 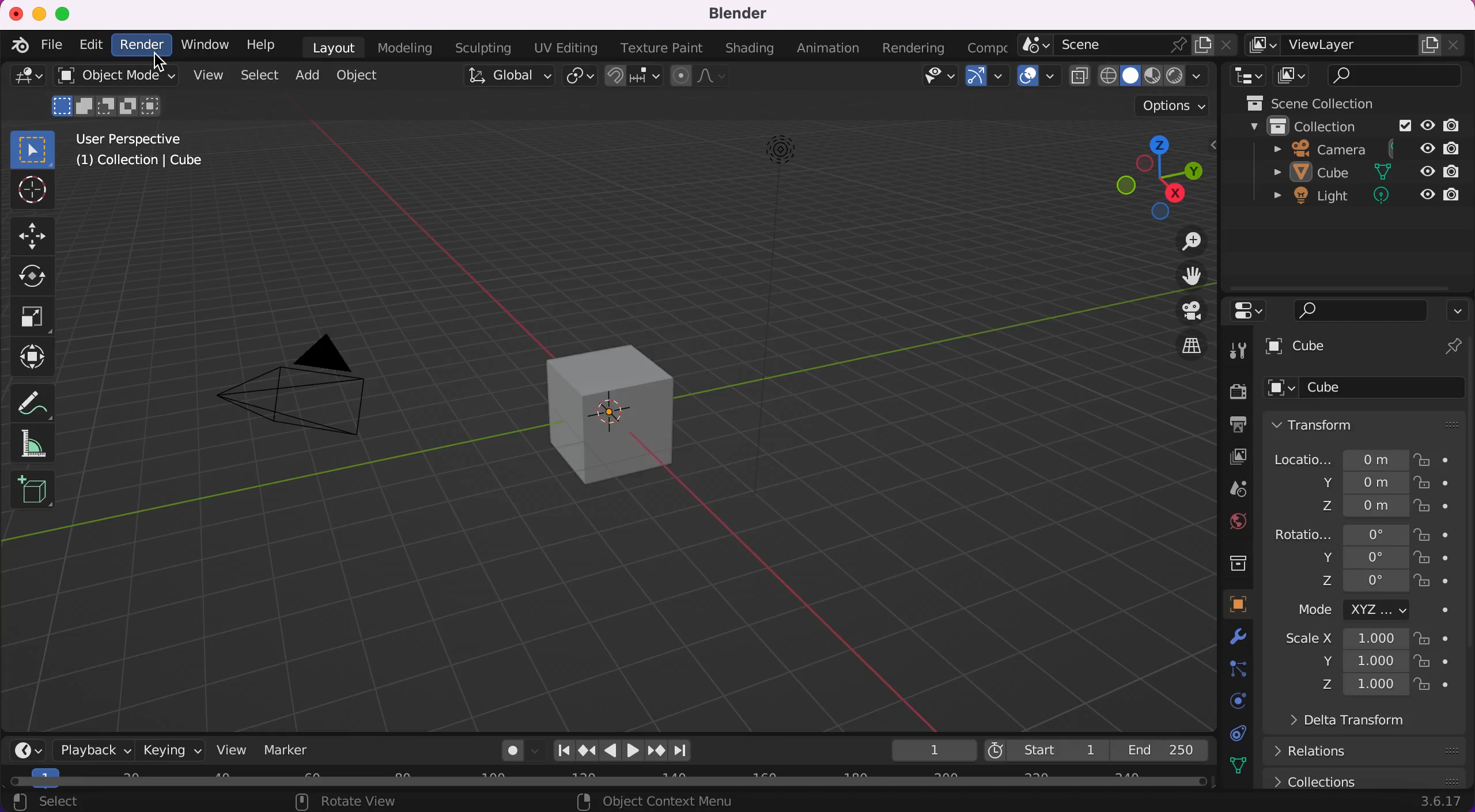 I want to click on disable in render, so click(x=1454, y=193).